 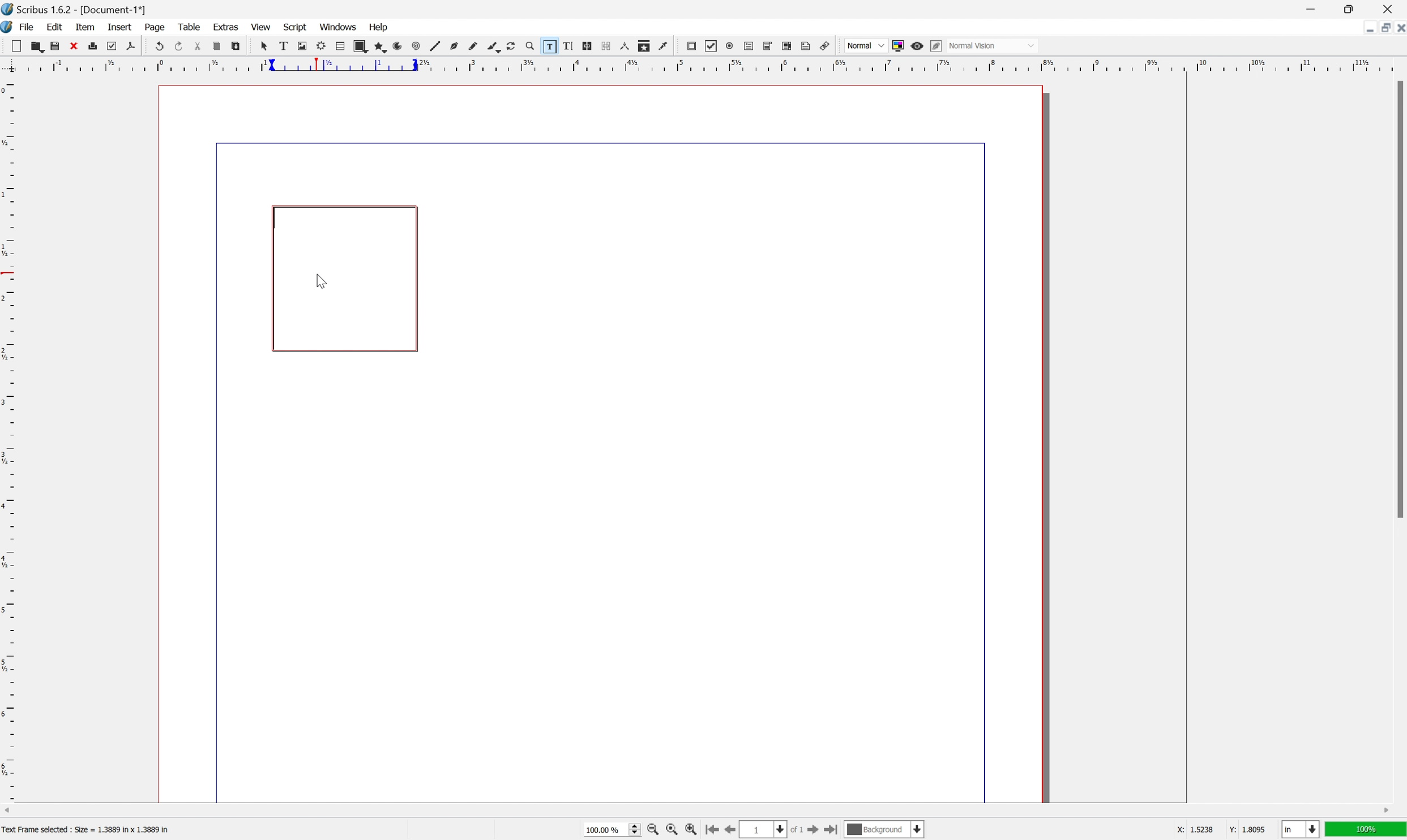 I want to click on text frame, so click(x=282, y=46).